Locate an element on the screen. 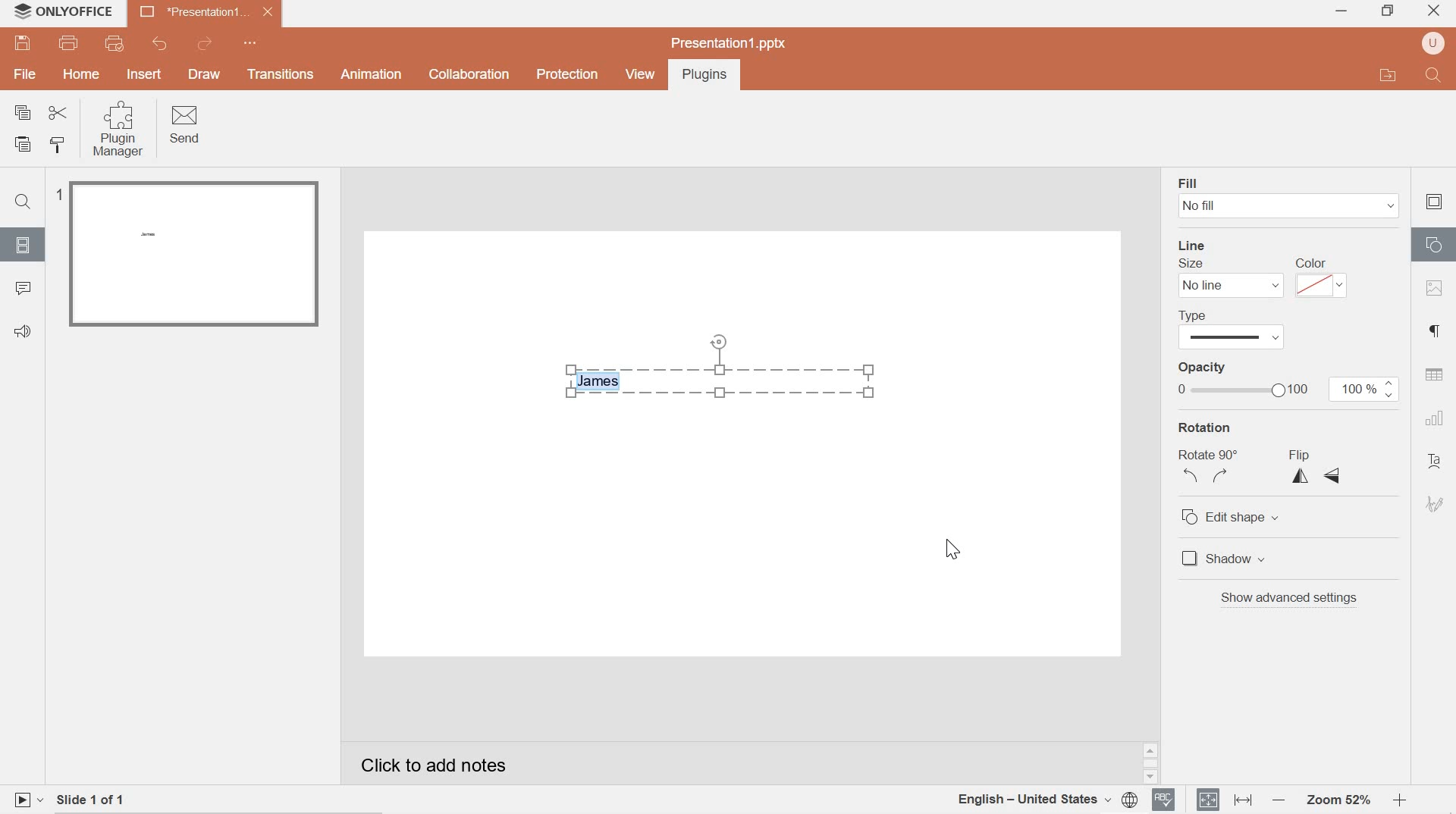  Protection is located at coordinates (566, 75).